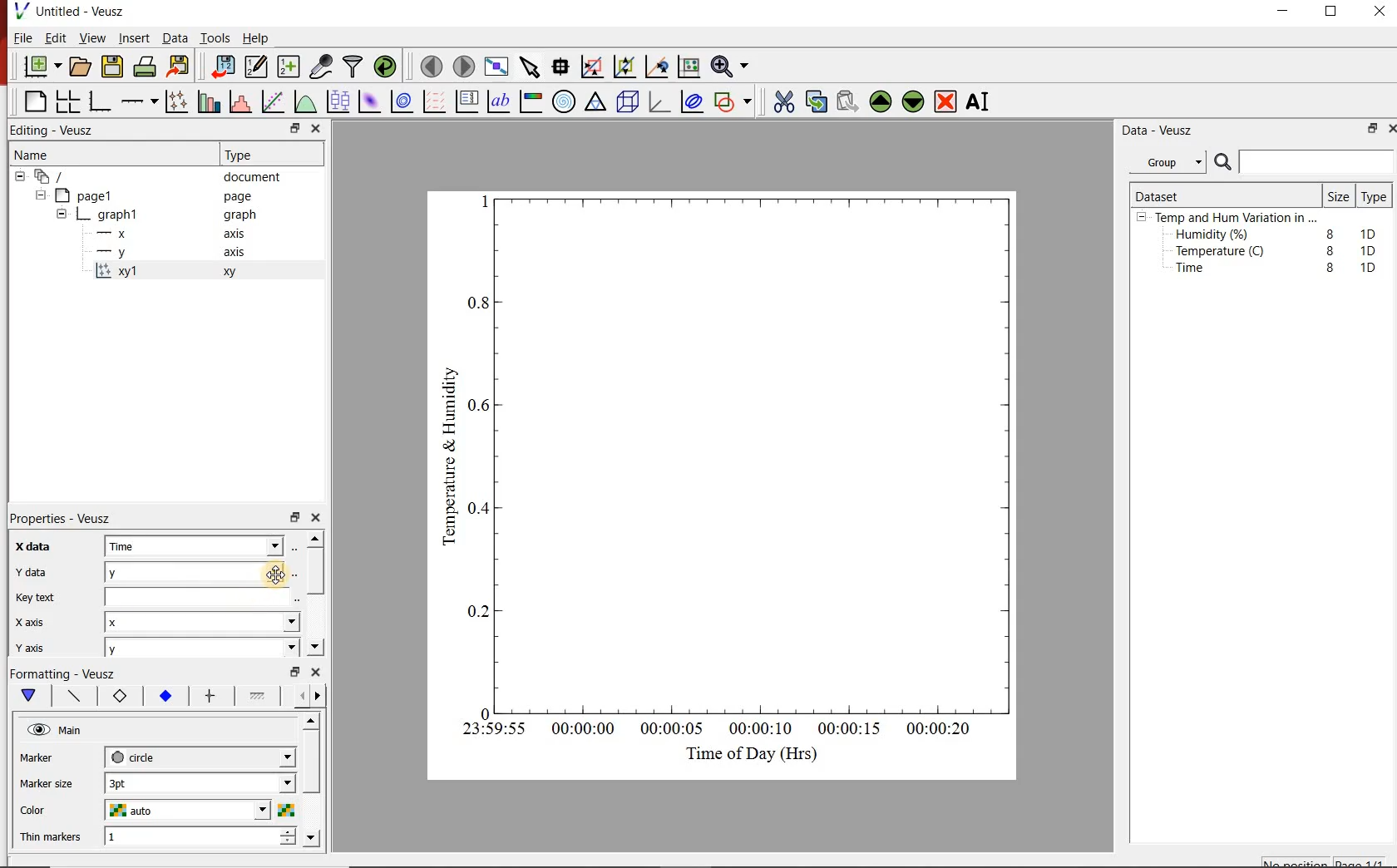 This screenshot has height=868, width=1397. Describe the element at coordinates (850, 727) in the screenshot. I see `00:00:15` at that location.